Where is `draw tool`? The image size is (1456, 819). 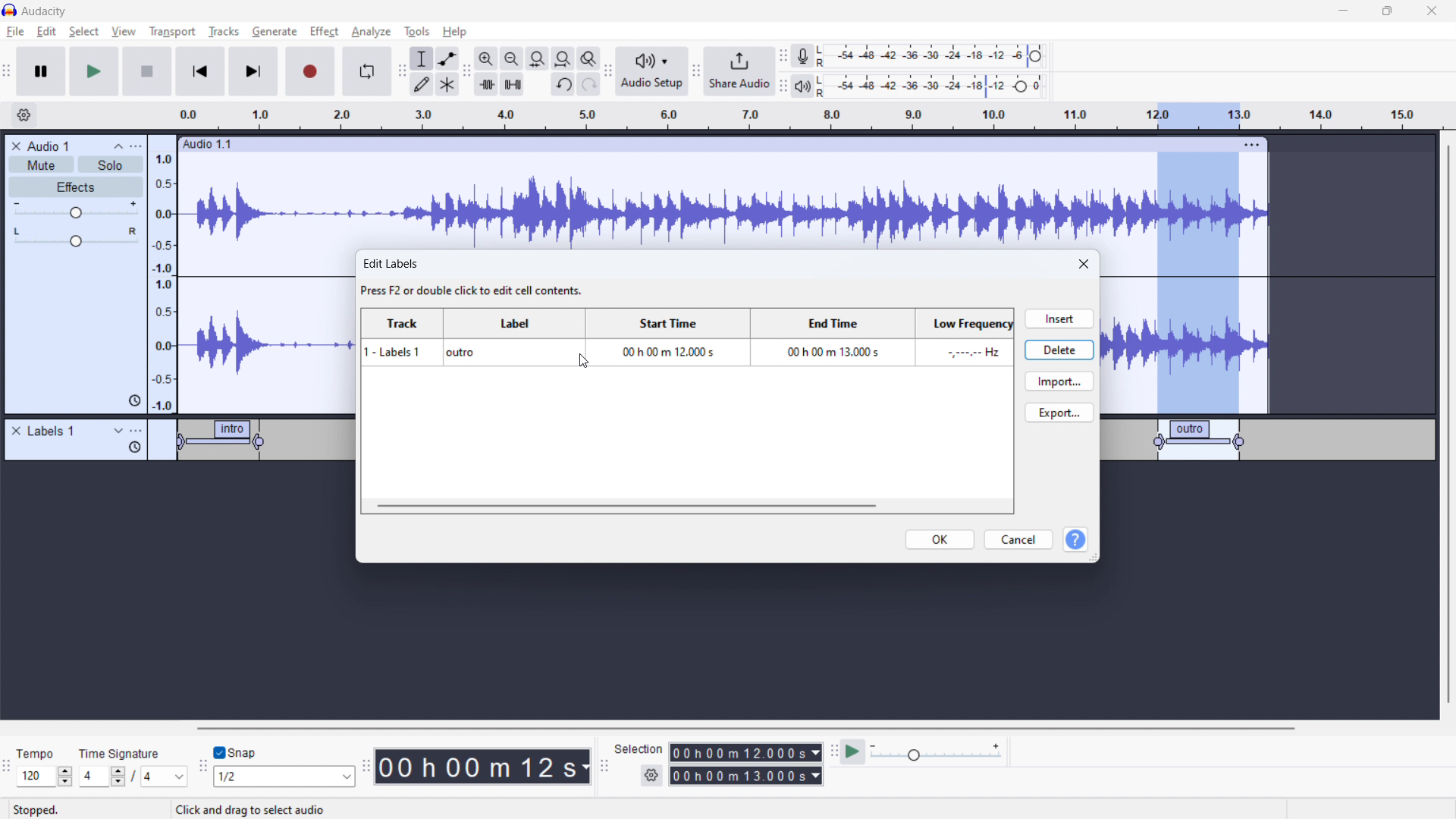 draw tool is located at coordinates (422, 83).